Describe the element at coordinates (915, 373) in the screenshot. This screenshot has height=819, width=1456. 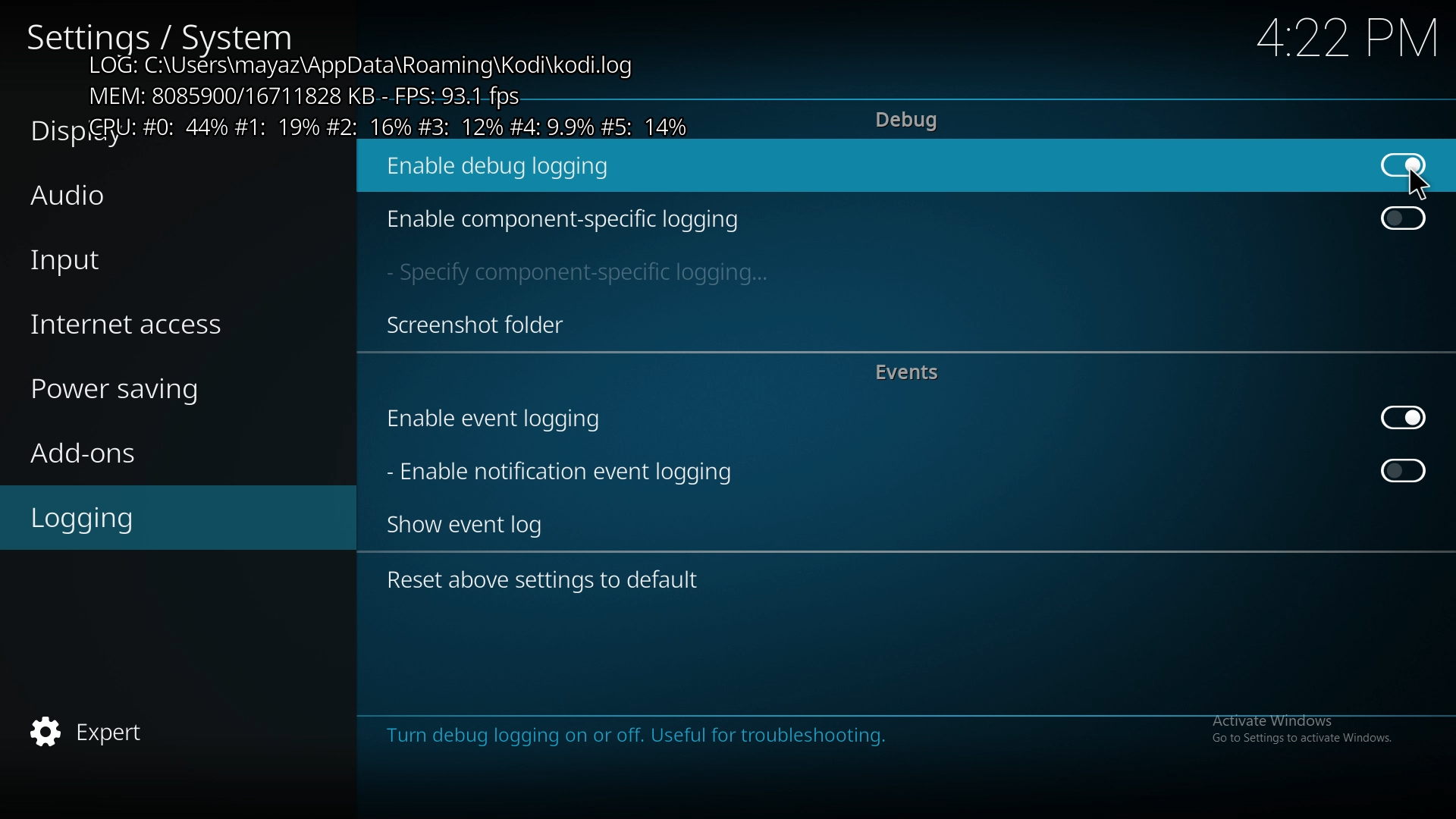
I see `events` at that location.